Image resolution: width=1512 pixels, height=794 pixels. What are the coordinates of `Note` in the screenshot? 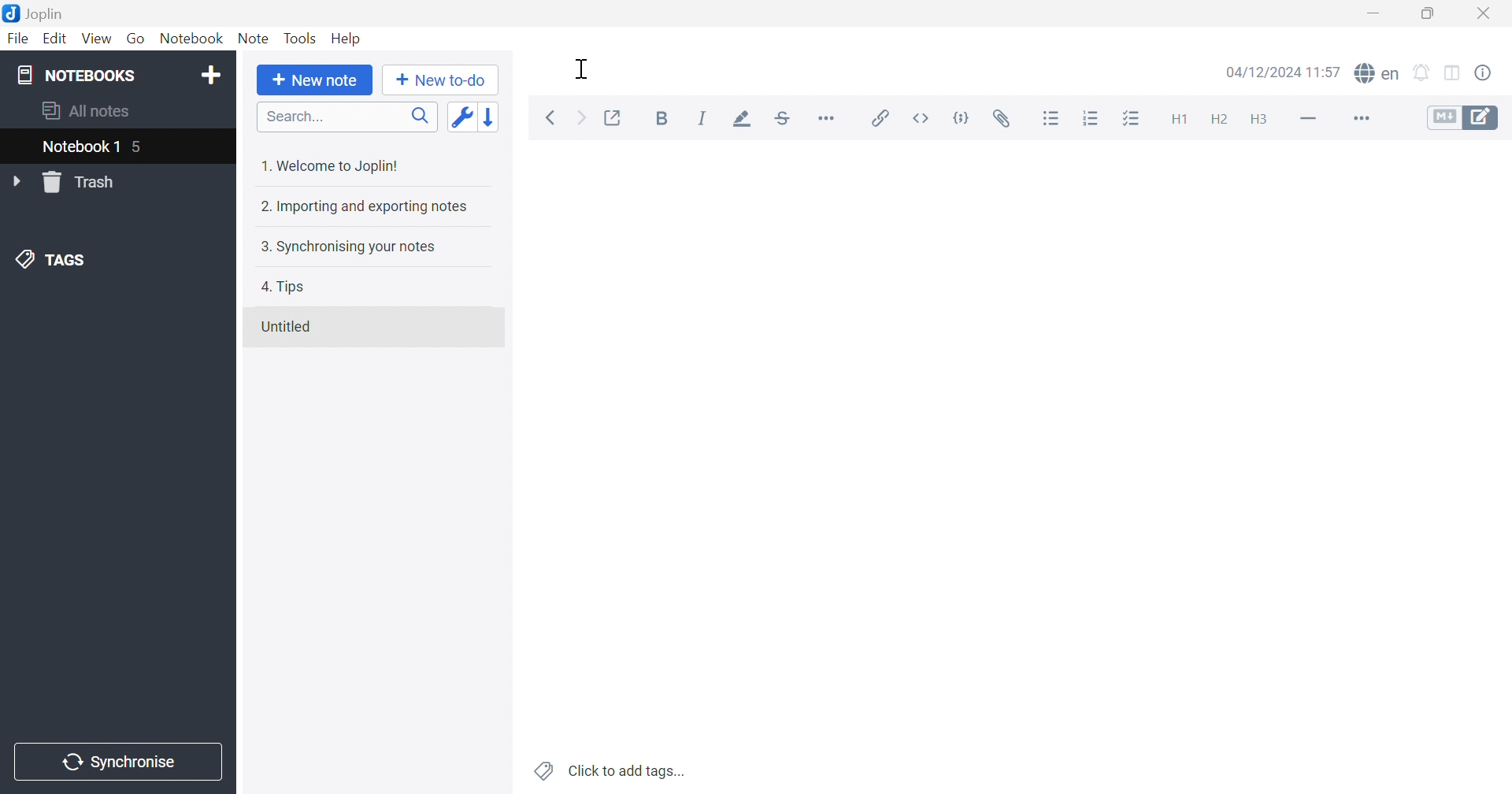 It's located at (253, 40).